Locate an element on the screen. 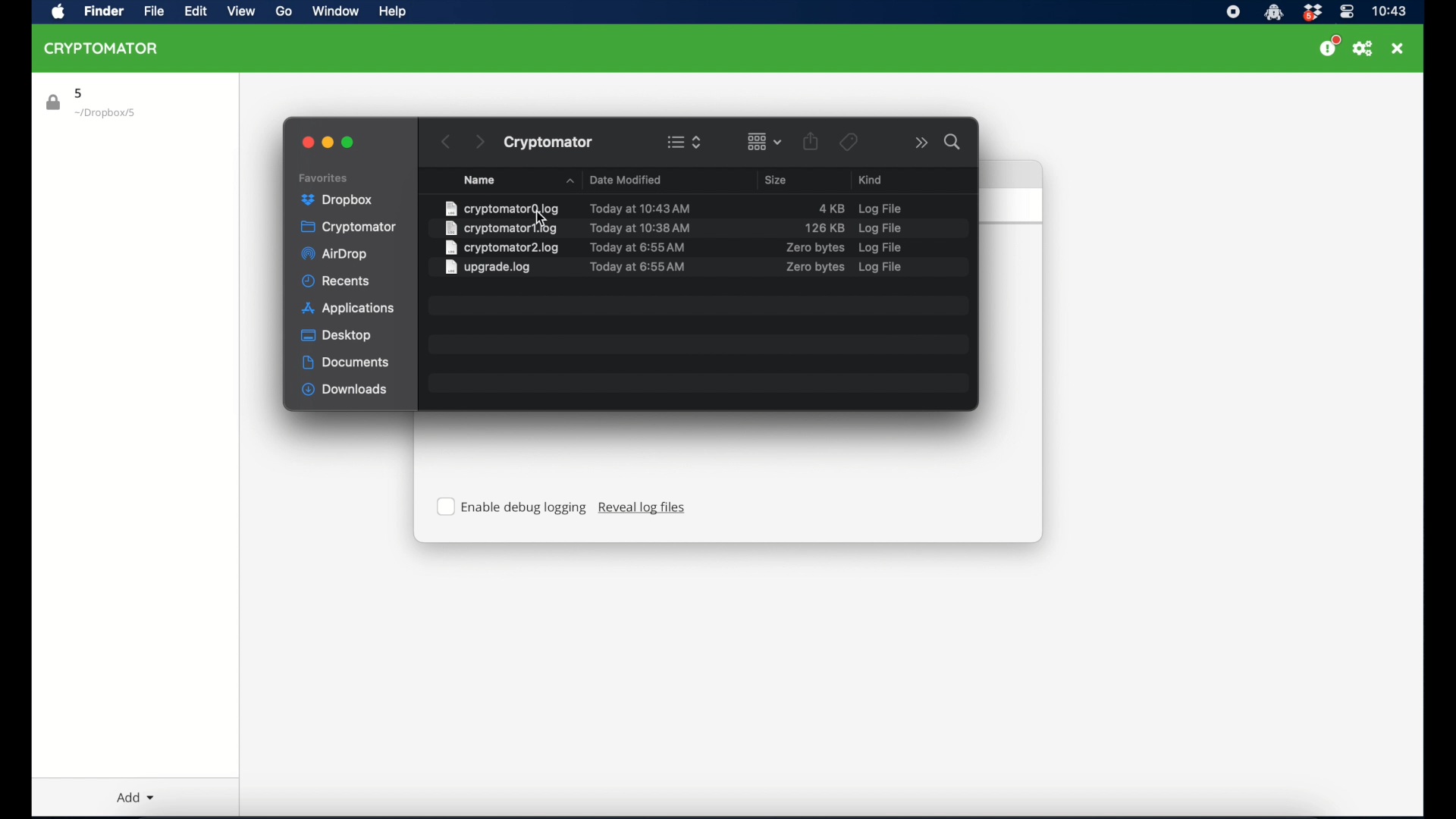 Image resolution: width=1456 pixels, height=819 pixels. cryptomator is located at coordinates (551, 143).